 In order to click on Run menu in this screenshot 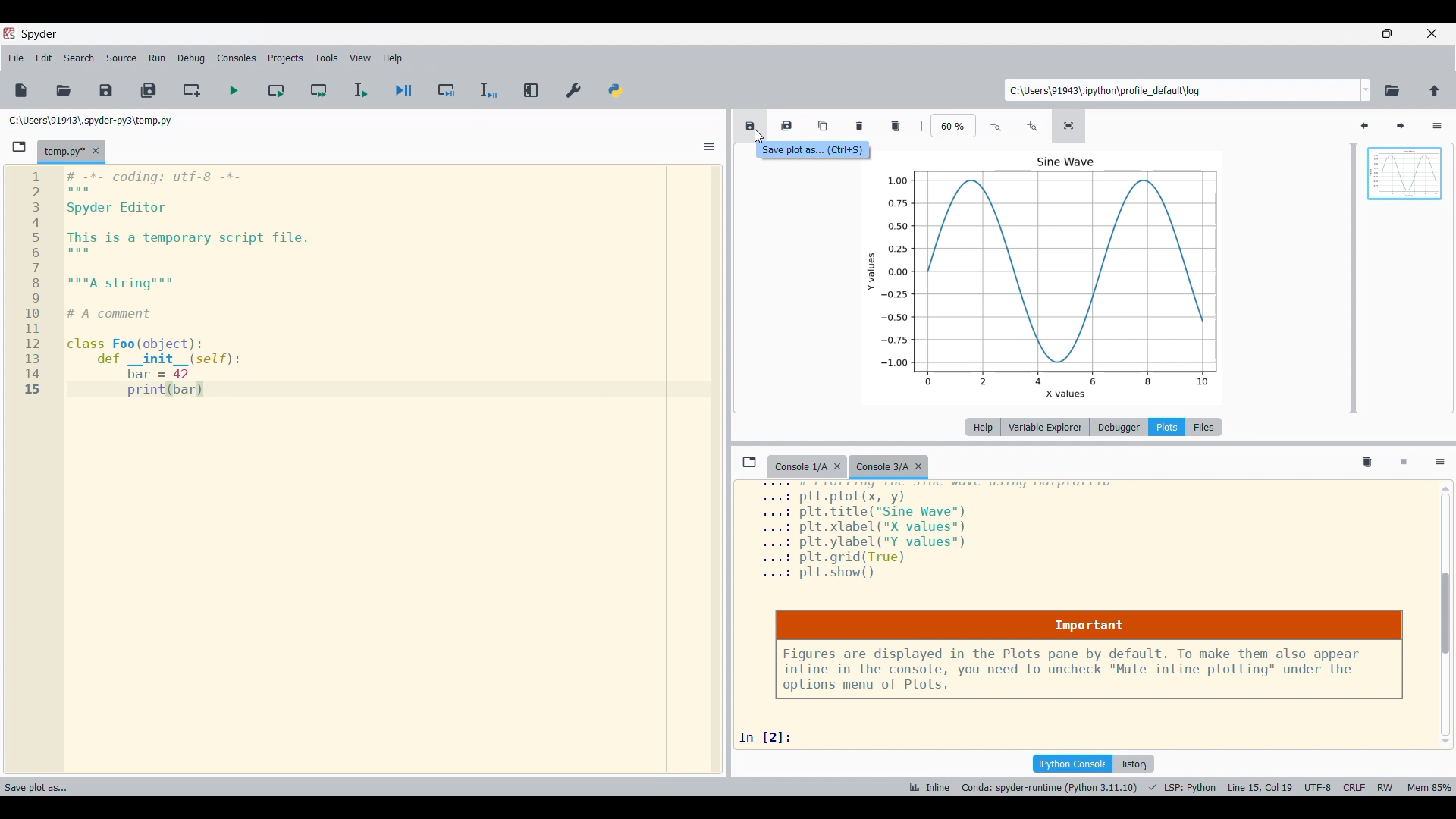, I will do `click(157, 57)`.